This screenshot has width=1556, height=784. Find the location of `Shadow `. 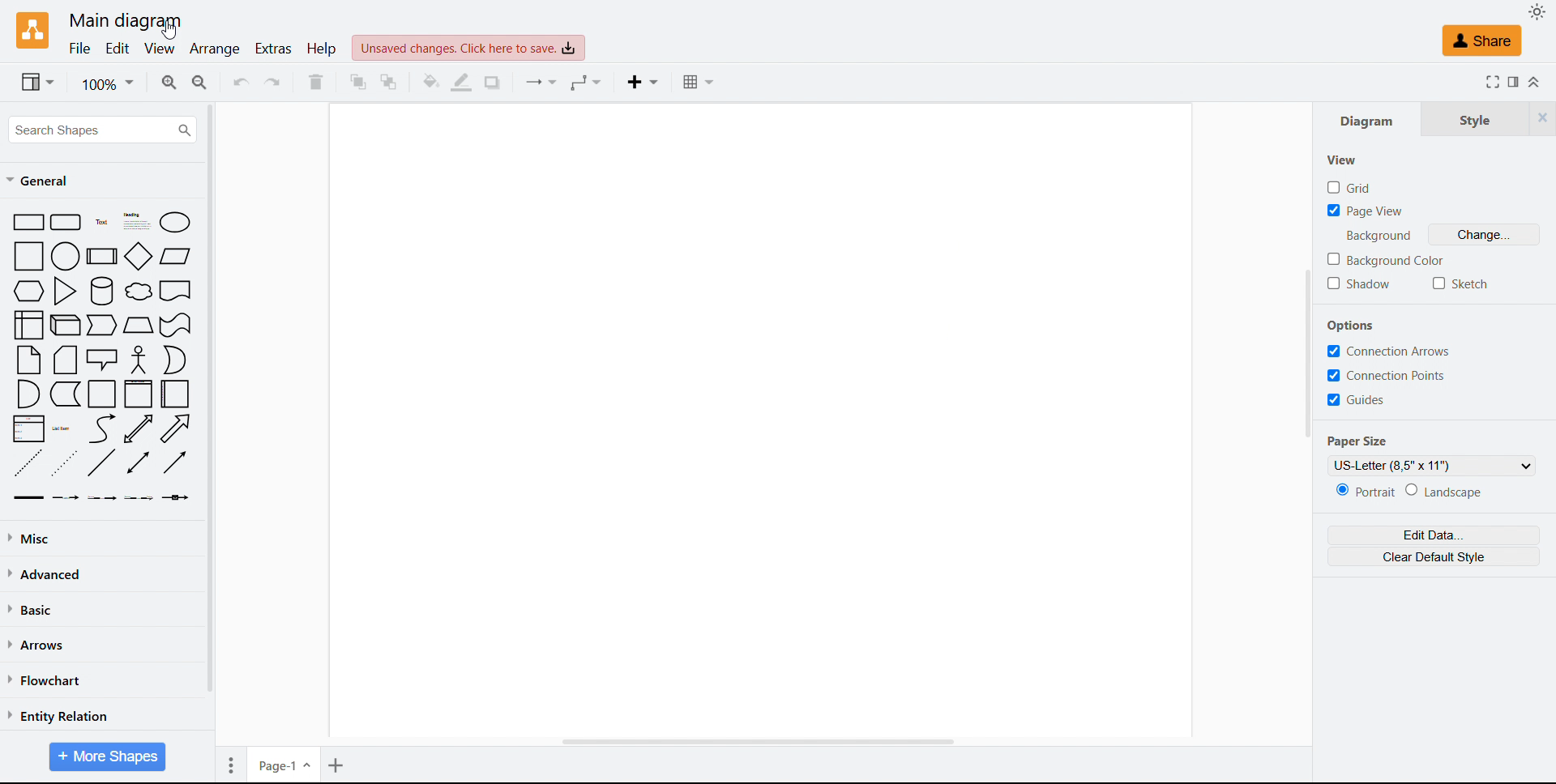

Shadow  is located at coordinates (494, 83).